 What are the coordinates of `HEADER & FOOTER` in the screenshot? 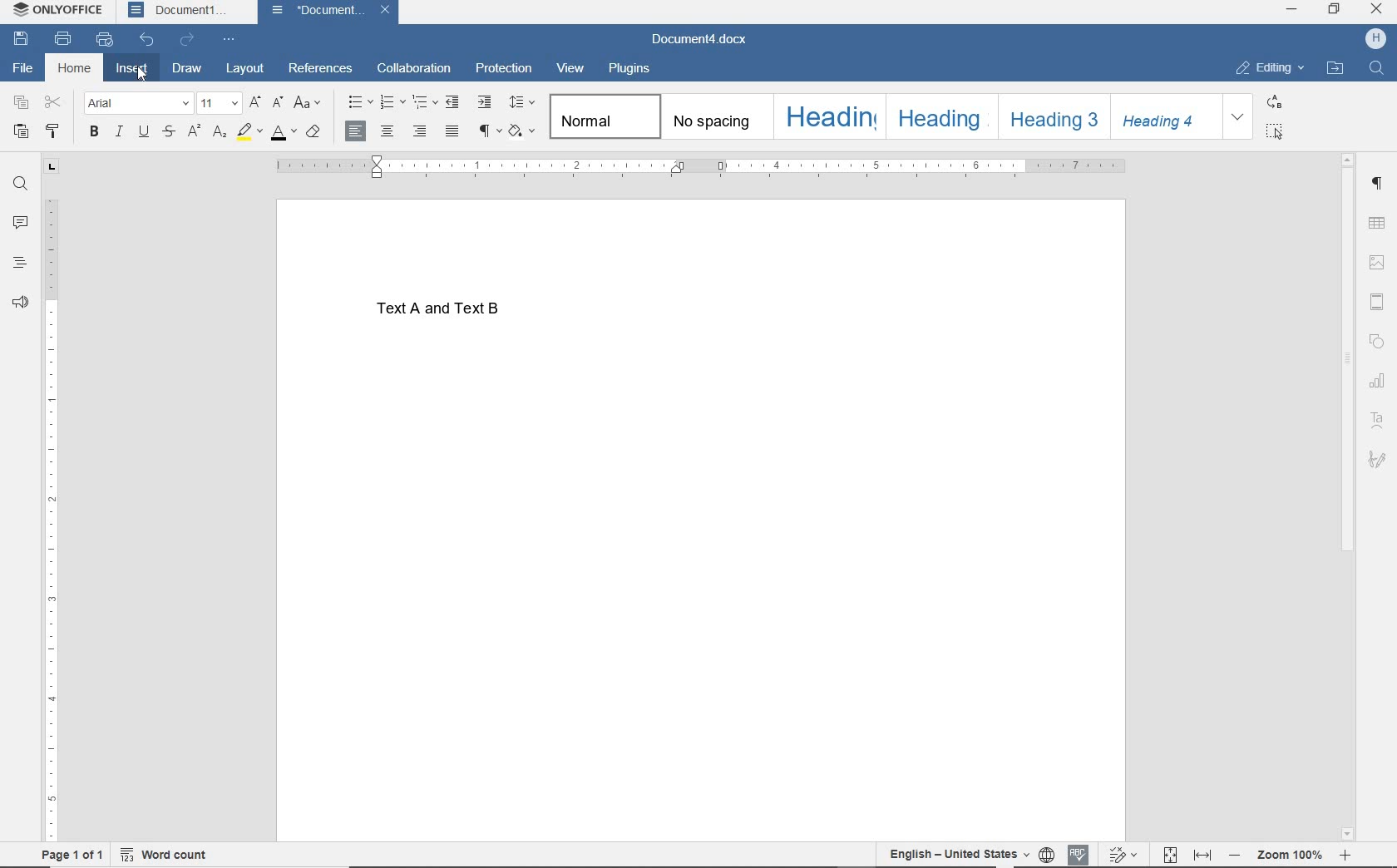 It's located at (1377, 302).